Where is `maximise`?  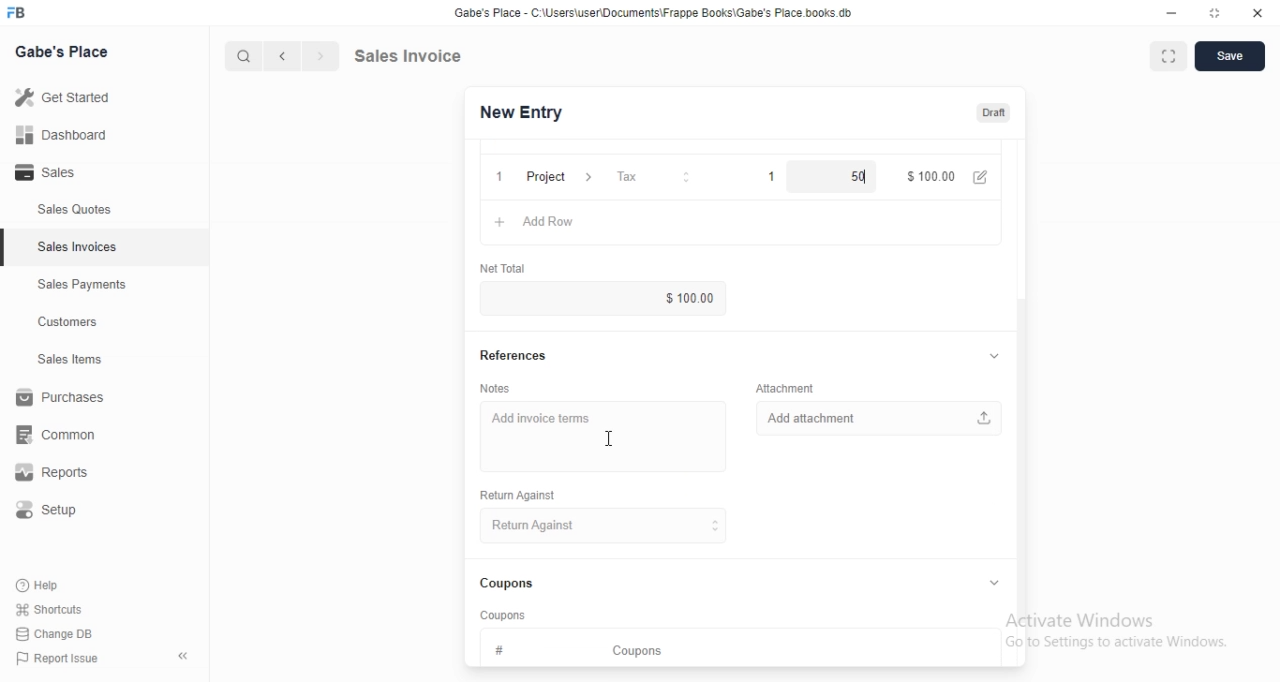
maximise is located at coordinates (1163, 54).